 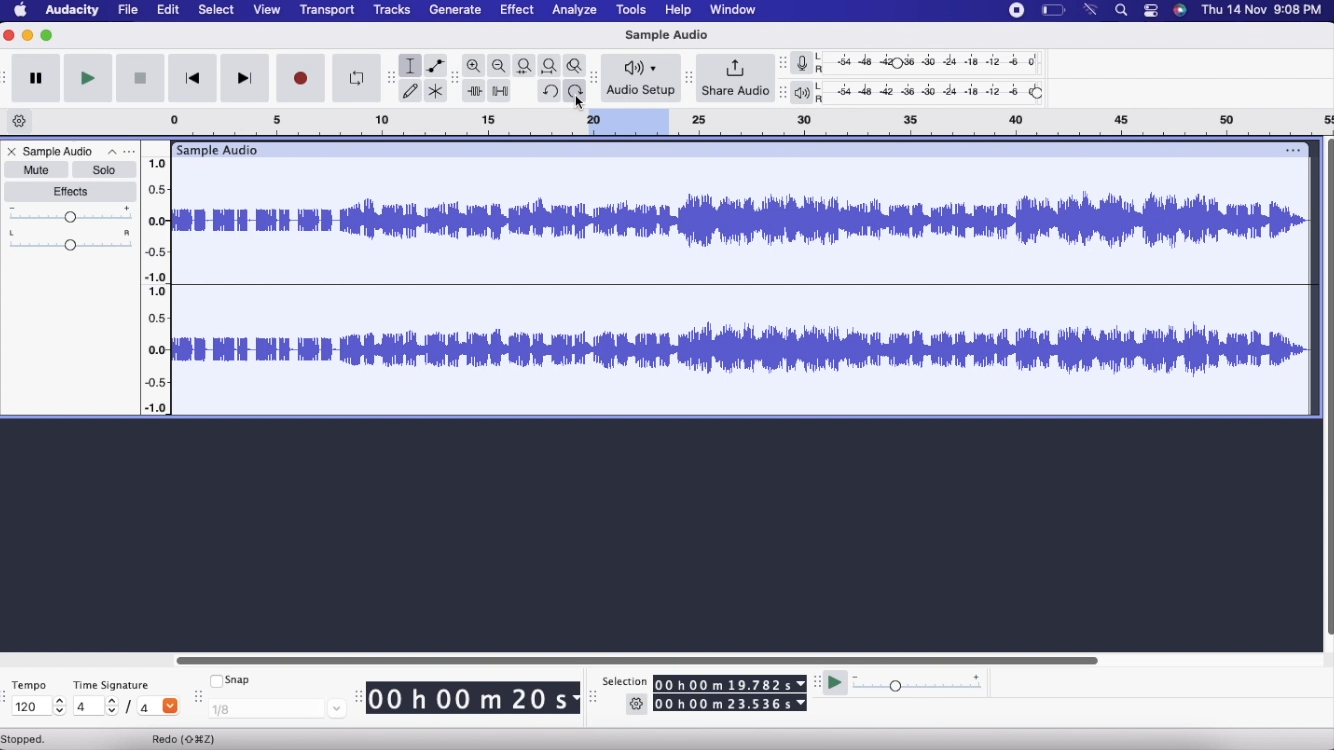 I want to click on Stop, so click(x=141, y=79).